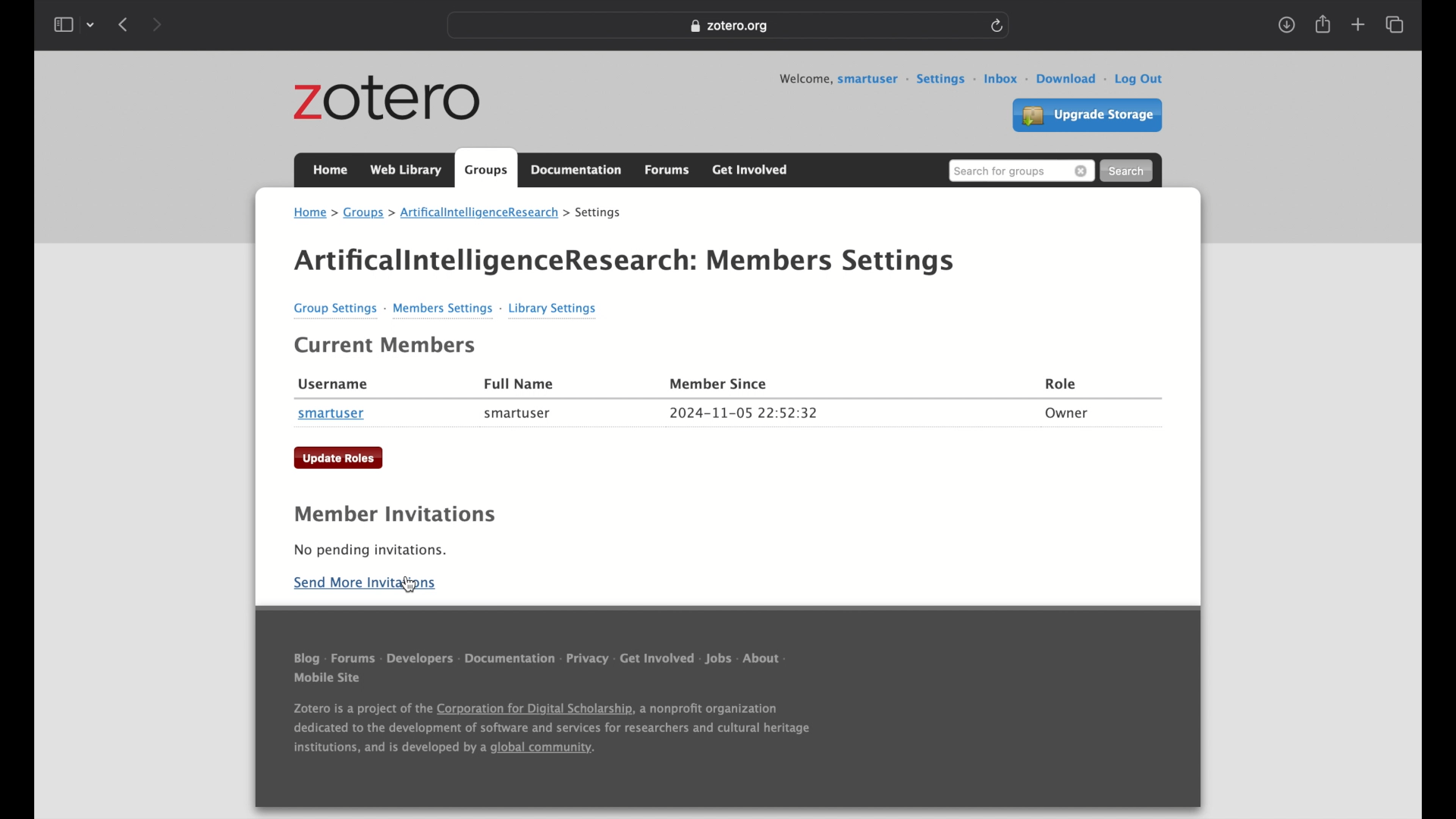  I want to click on blog, so click(307, 657).